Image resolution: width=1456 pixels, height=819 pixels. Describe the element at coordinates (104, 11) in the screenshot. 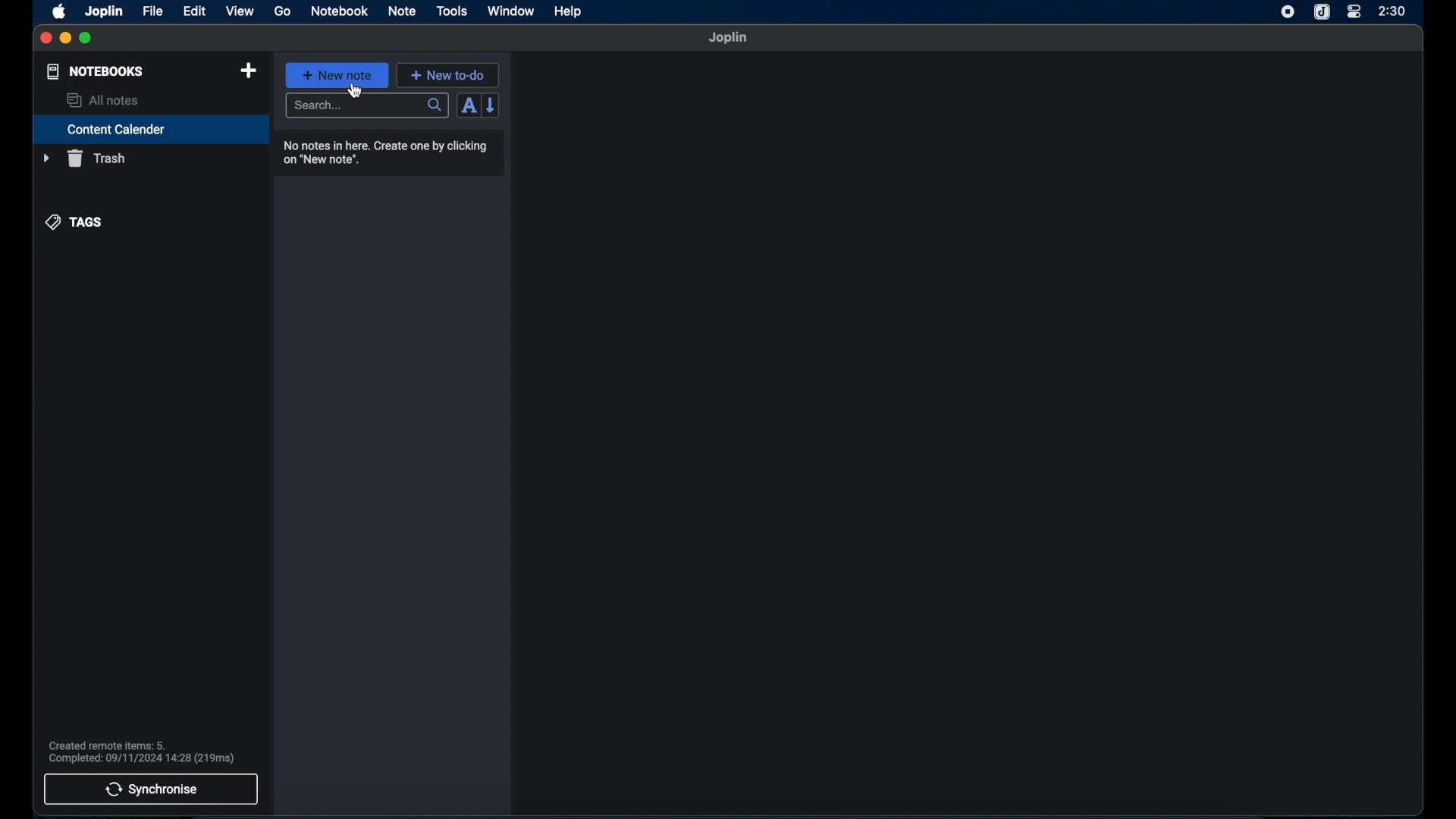

I see `joplin` at that location.